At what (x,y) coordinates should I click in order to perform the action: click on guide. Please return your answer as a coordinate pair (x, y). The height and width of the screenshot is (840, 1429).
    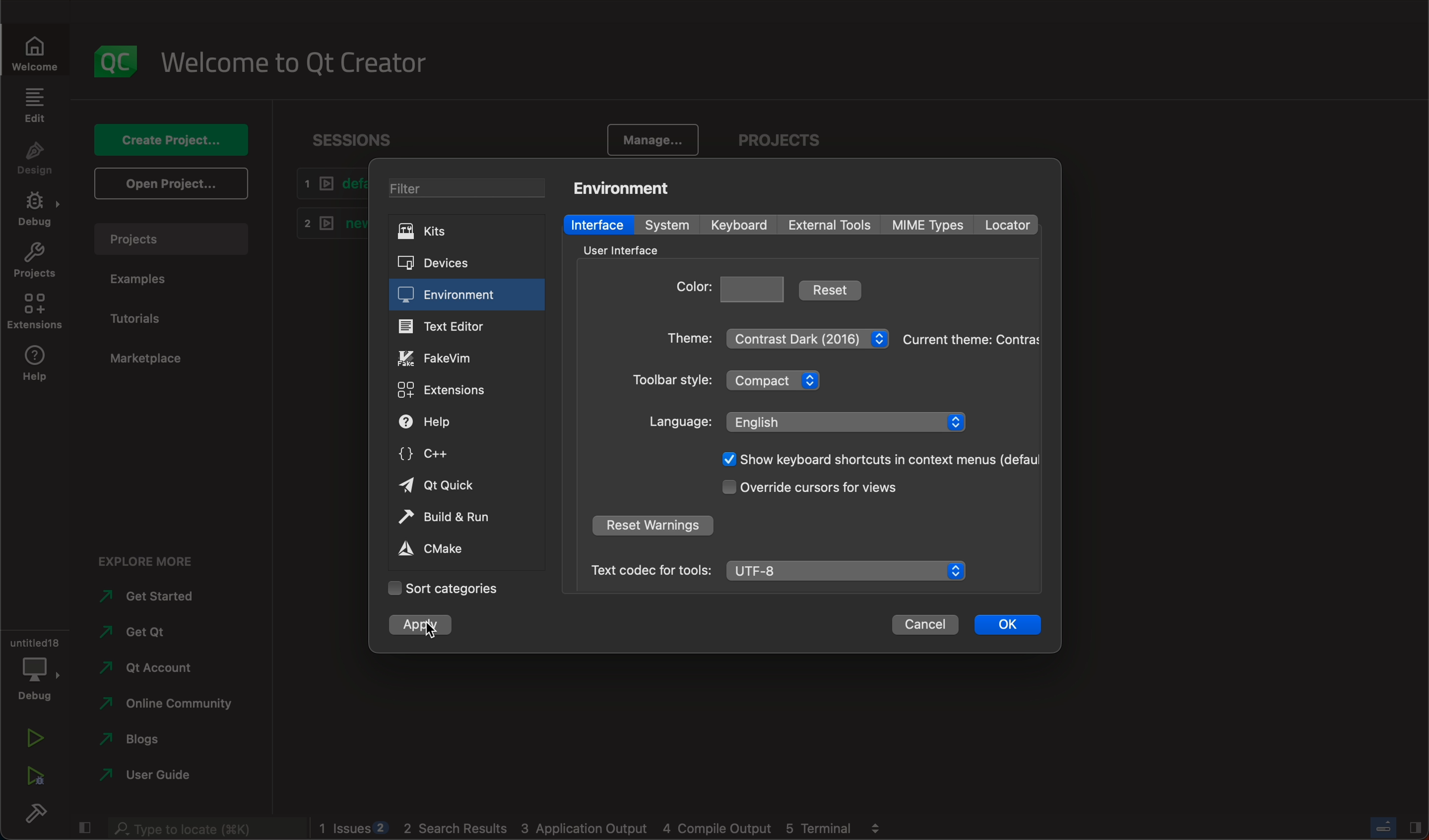
    Looking at the image, I should click on (156, 777).